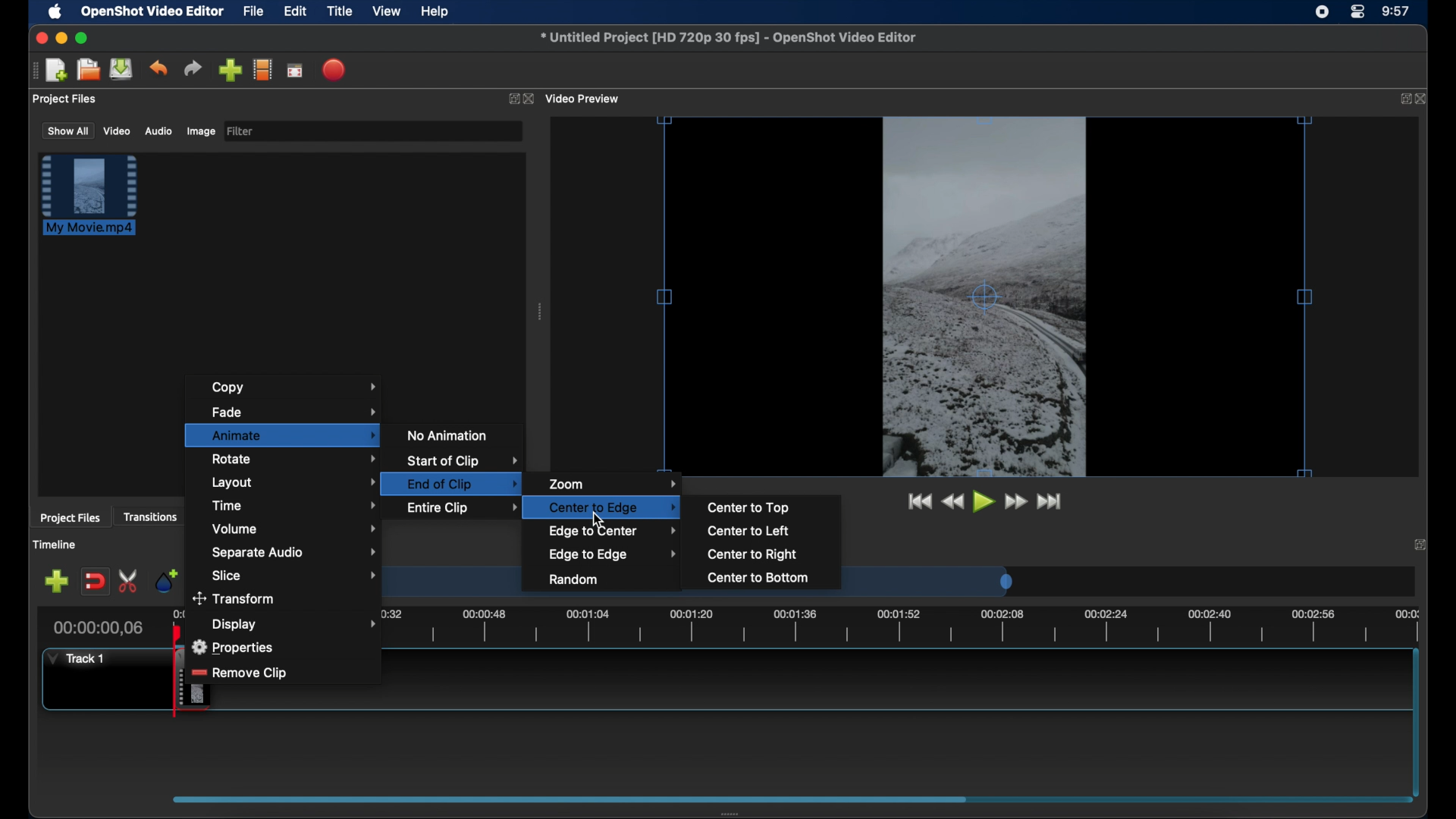 Image resolution: width=1456 pixels, height=819 pixels. I want to click on project files, so click(70, 518).